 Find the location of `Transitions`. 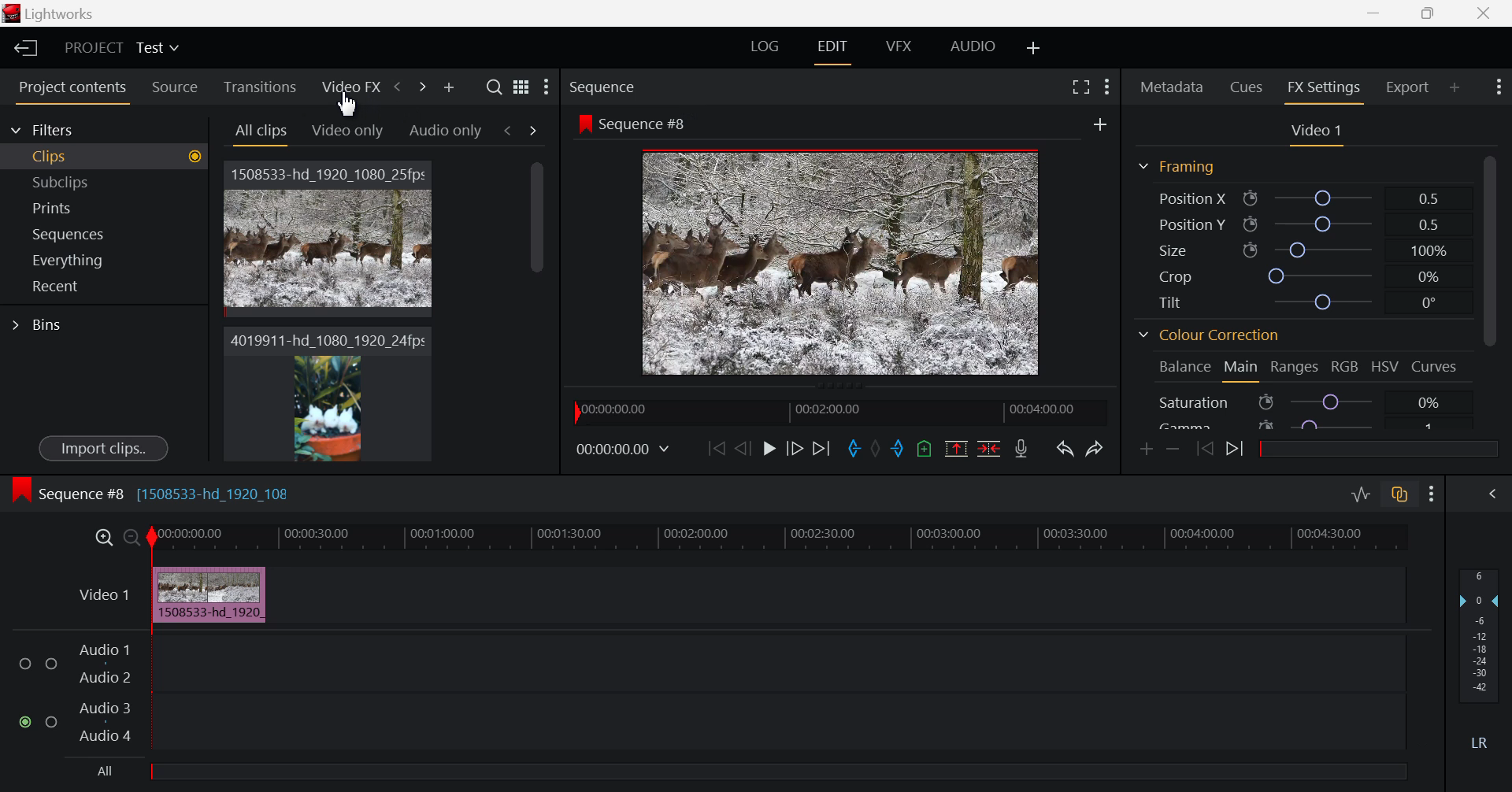

Transitions is located at coordinates (261, 88).